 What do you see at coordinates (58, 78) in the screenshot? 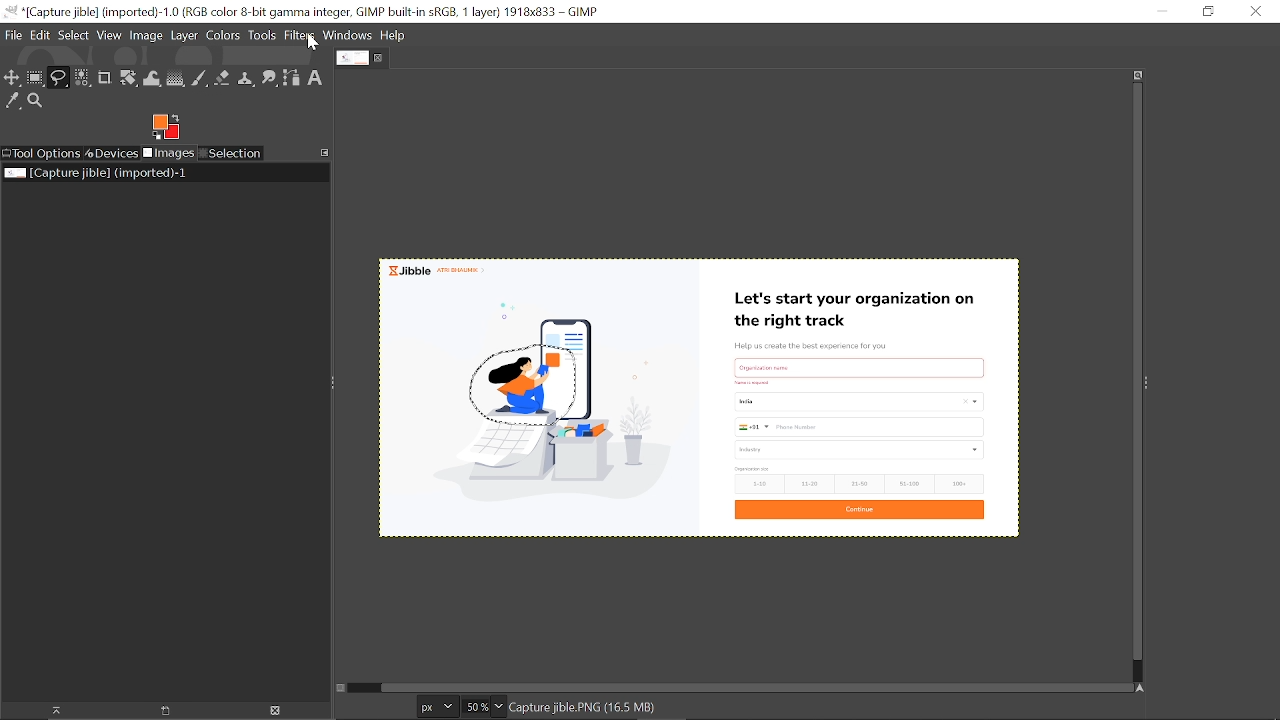
I see `Free select tool` at bounding box center [58, 78].